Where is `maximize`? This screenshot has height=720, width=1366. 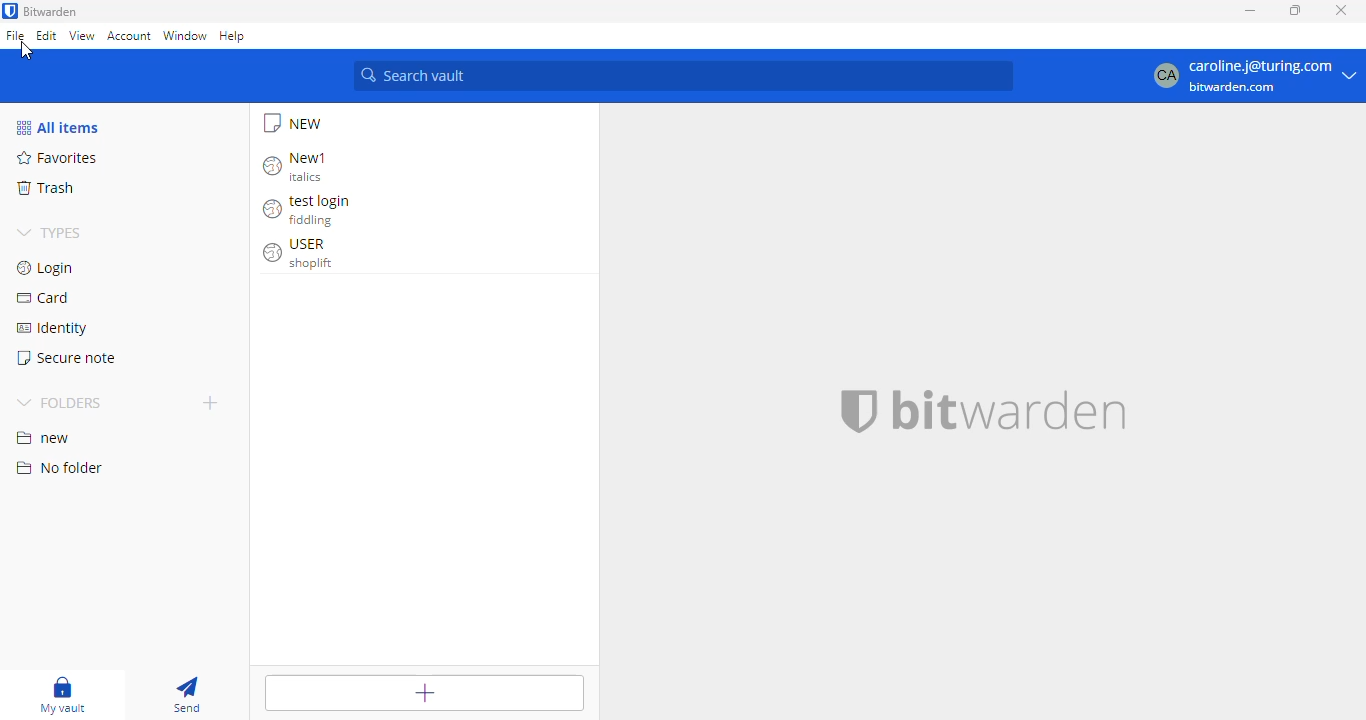 maximize is located at coordinates (1295, 11).